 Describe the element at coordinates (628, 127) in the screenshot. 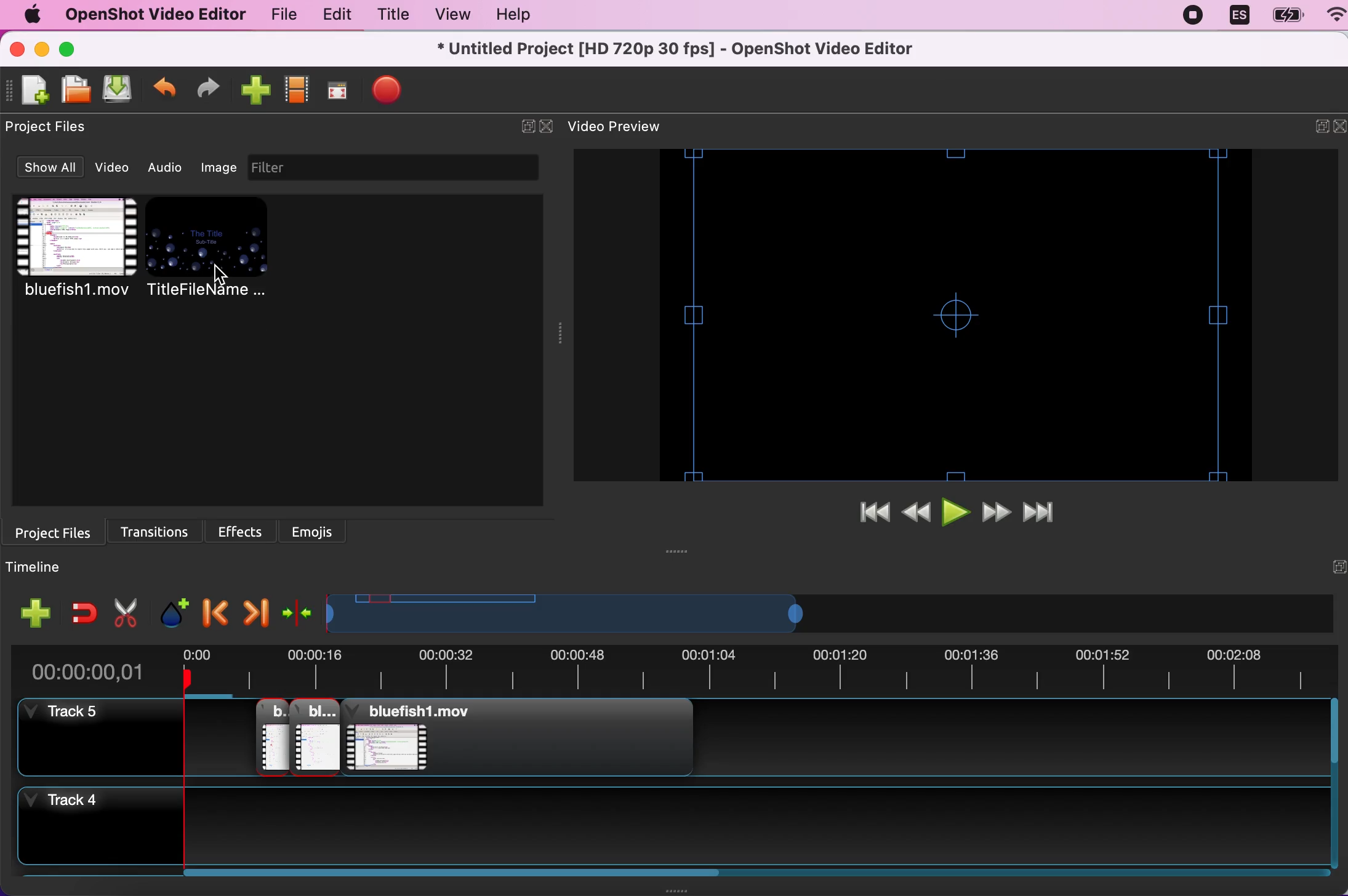

I see `video preview` at that location.